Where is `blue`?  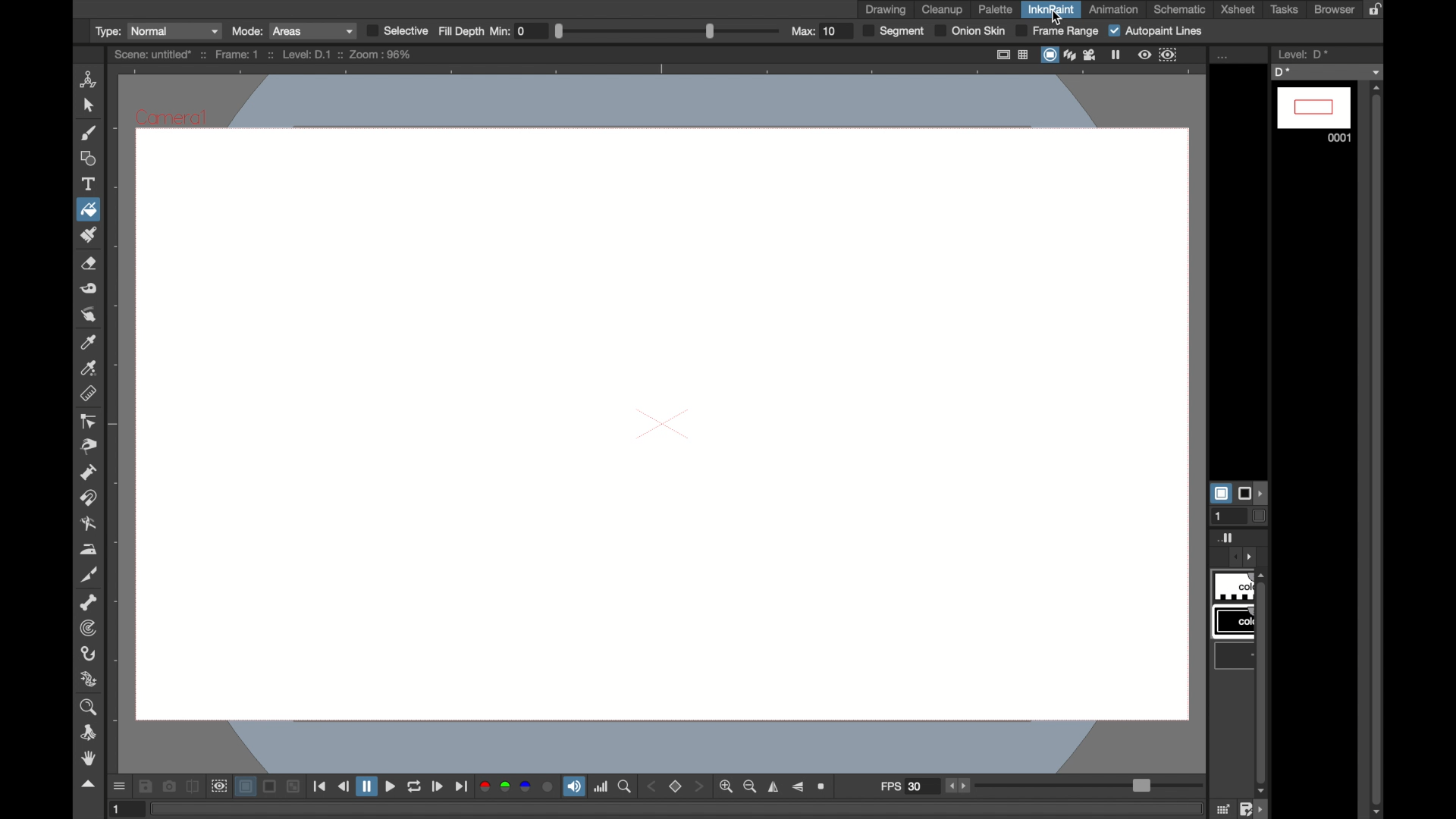
blue is located at coordinates (526, 788).